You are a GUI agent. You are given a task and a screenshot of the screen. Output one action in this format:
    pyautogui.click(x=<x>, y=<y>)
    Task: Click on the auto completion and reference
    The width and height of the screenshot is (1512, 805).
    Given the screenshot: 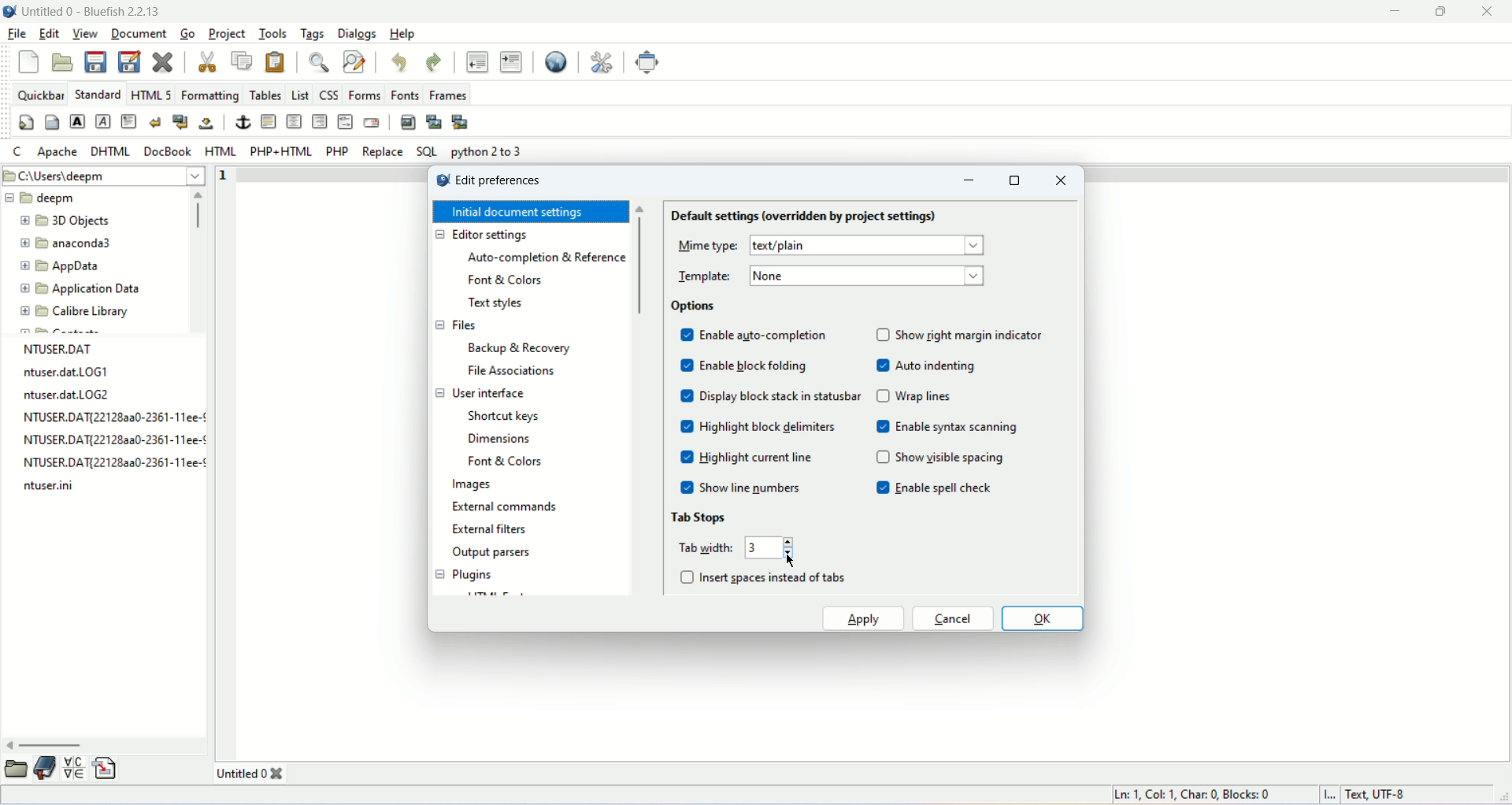 What is the action you would take?
    pyautogui.click(x=549, y=259)
    